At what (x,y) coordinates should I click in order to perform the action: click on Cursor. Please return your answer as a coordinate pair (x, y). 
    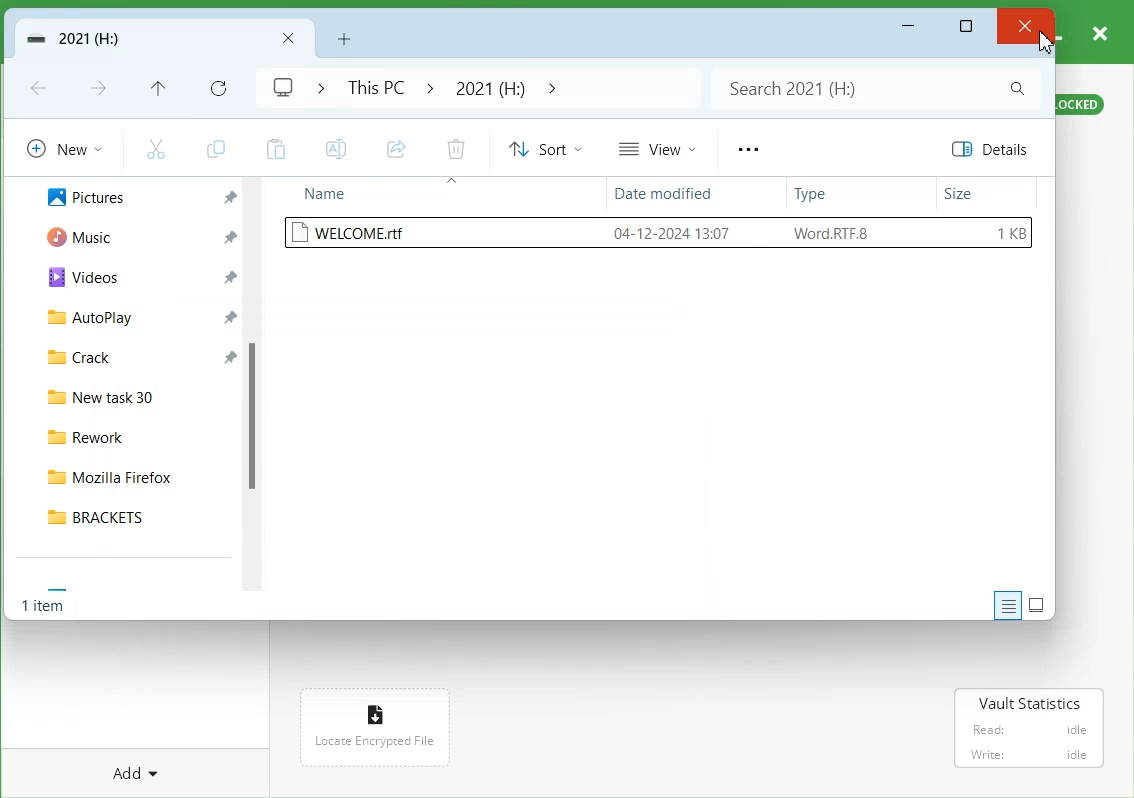
    Looking at the image, I should click on (1046, 42).